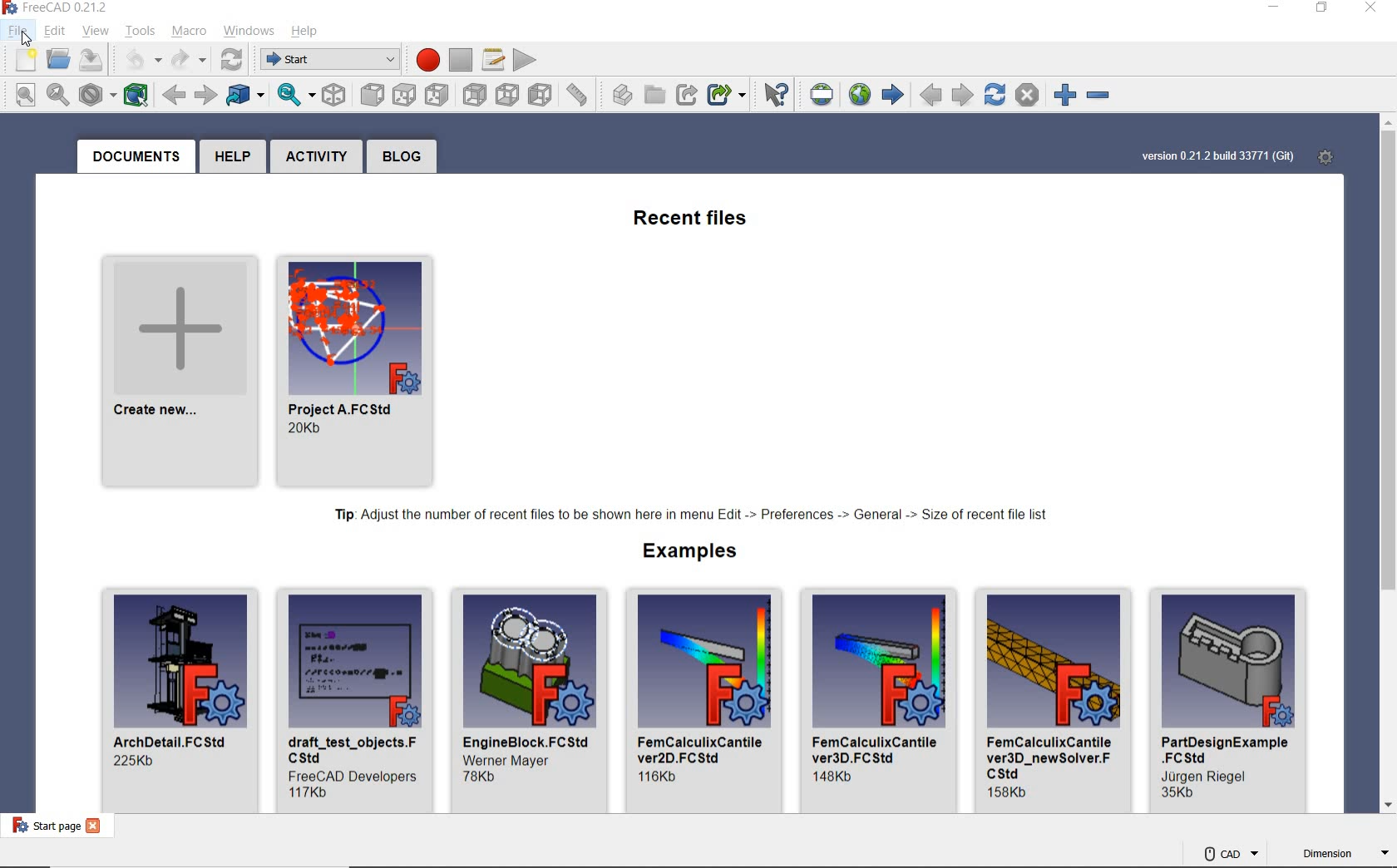  What do you see at coordinates (460, 59) in the screenshot?
I see `STOP MACRO RECORDING` at bounding box center [460, 59].